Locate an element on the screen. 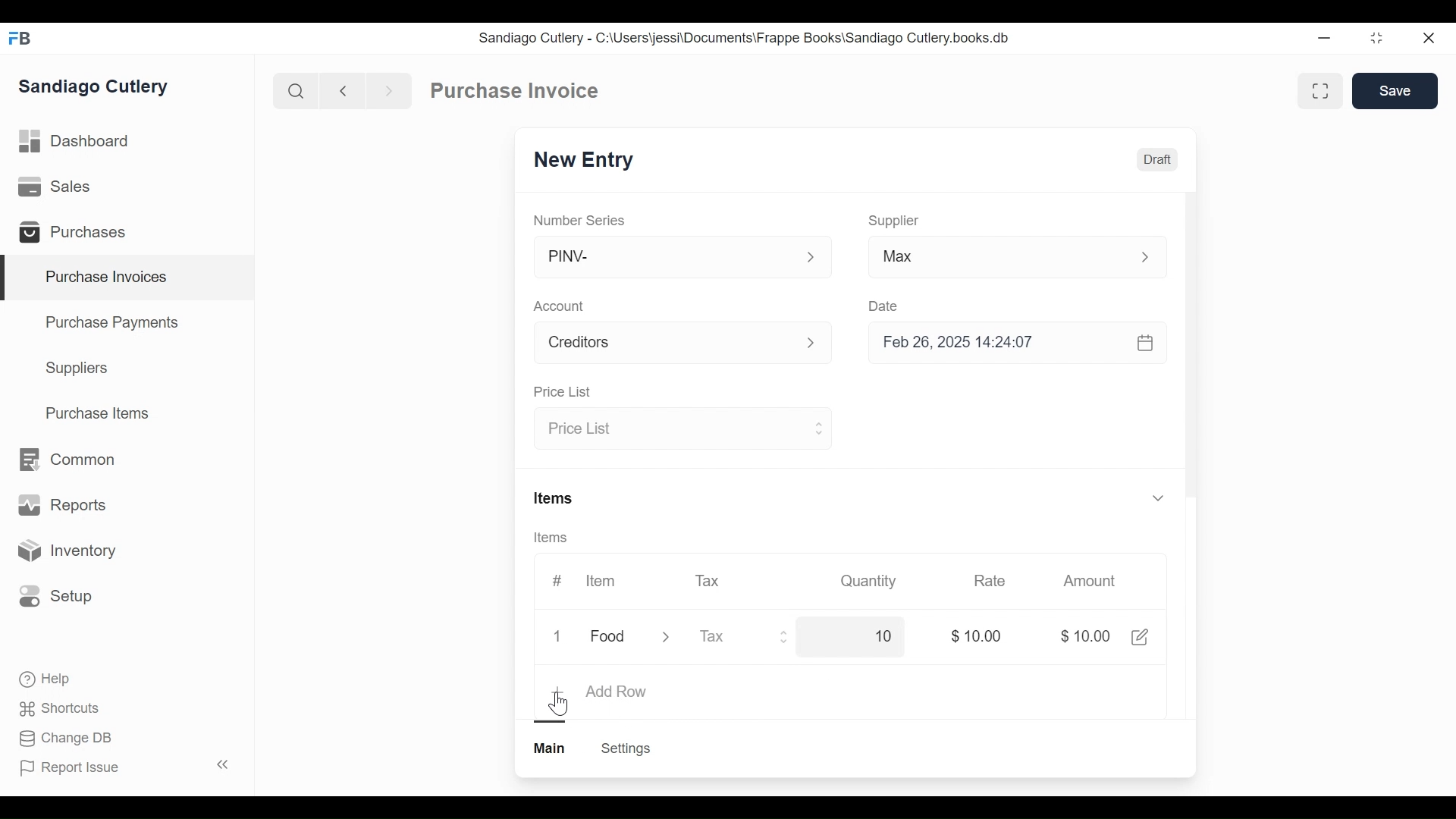  Expand is located at coordinates (811, 258).